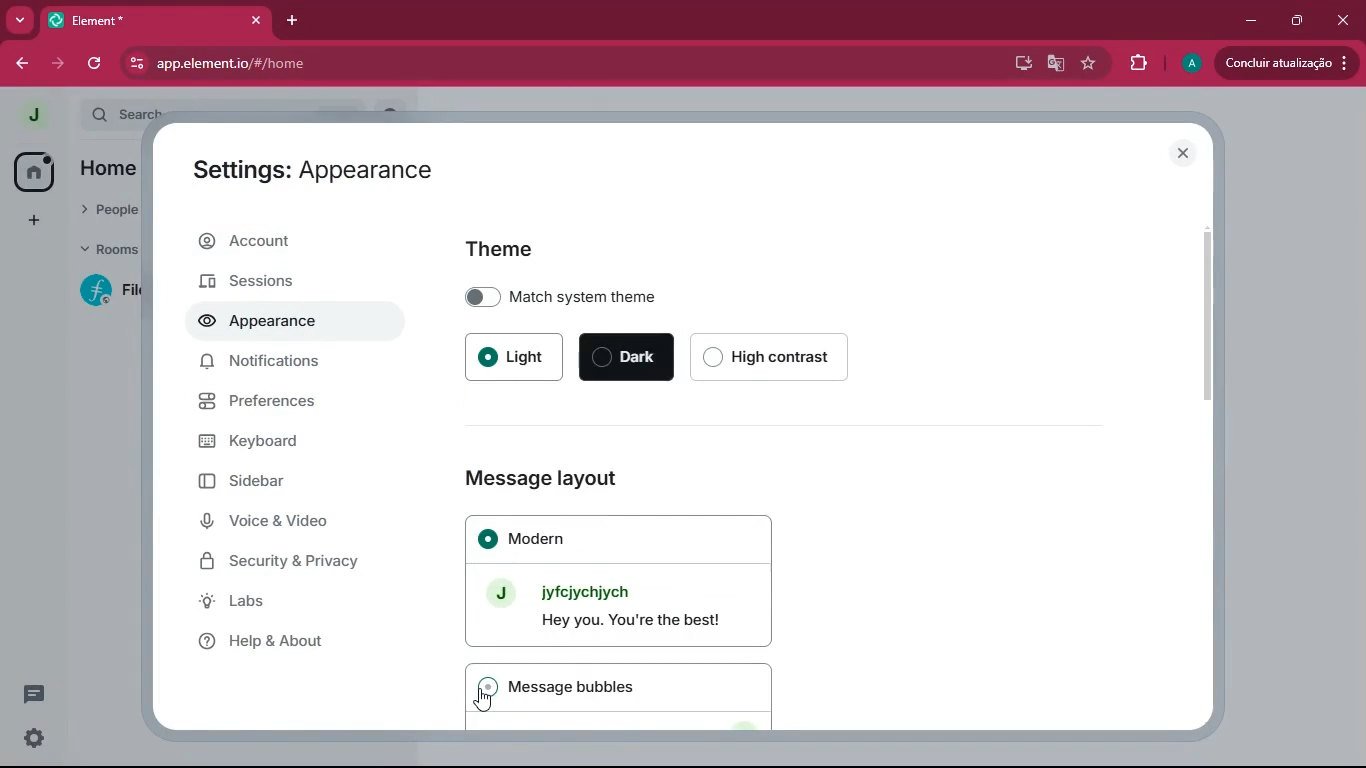 This screenshot has width=1366, height=768. What do you see at coordinates (61, 66) in the screenshot?
I see `forward` at bounding box center [61, 66].